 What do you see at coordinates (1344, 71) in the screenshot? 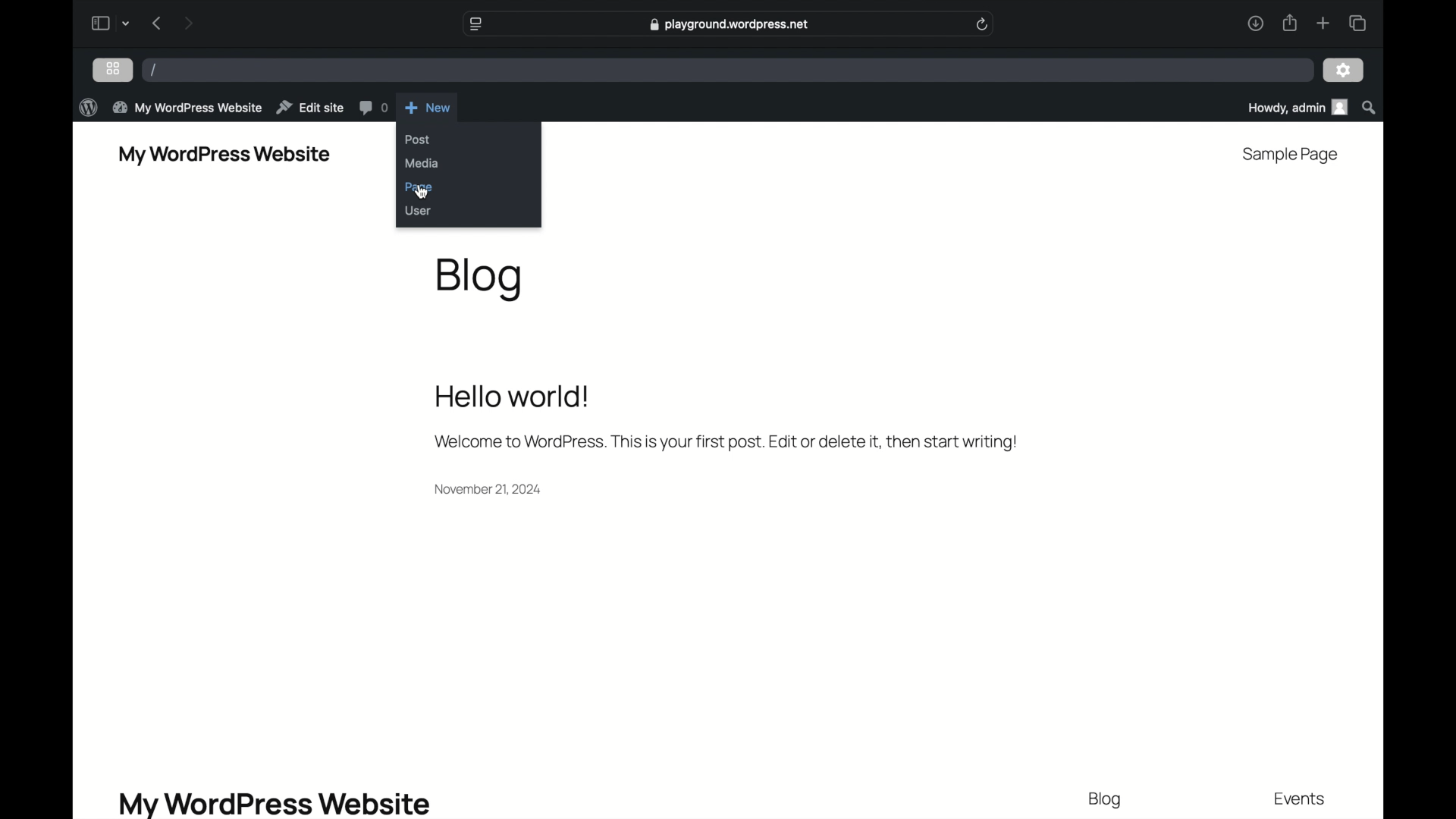
I see `settings` at bounding box center [1344, 71].